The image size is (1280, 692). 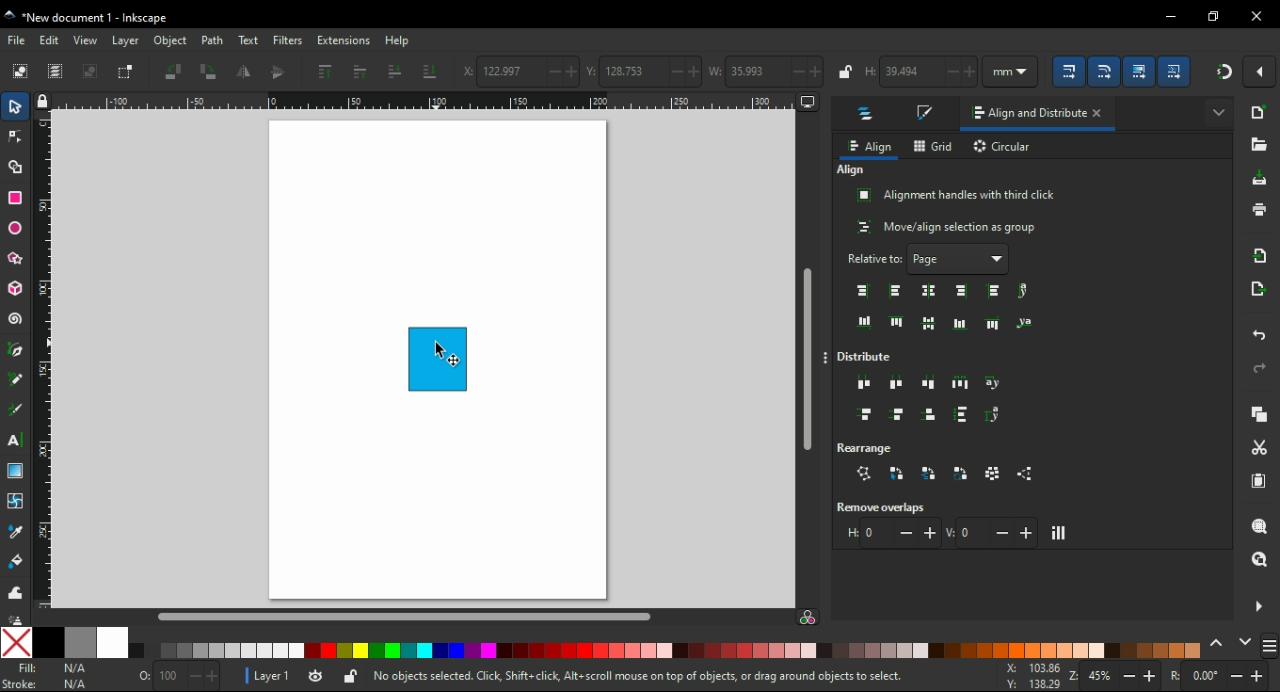 I want to click on new, so click(x=1257, y=115).